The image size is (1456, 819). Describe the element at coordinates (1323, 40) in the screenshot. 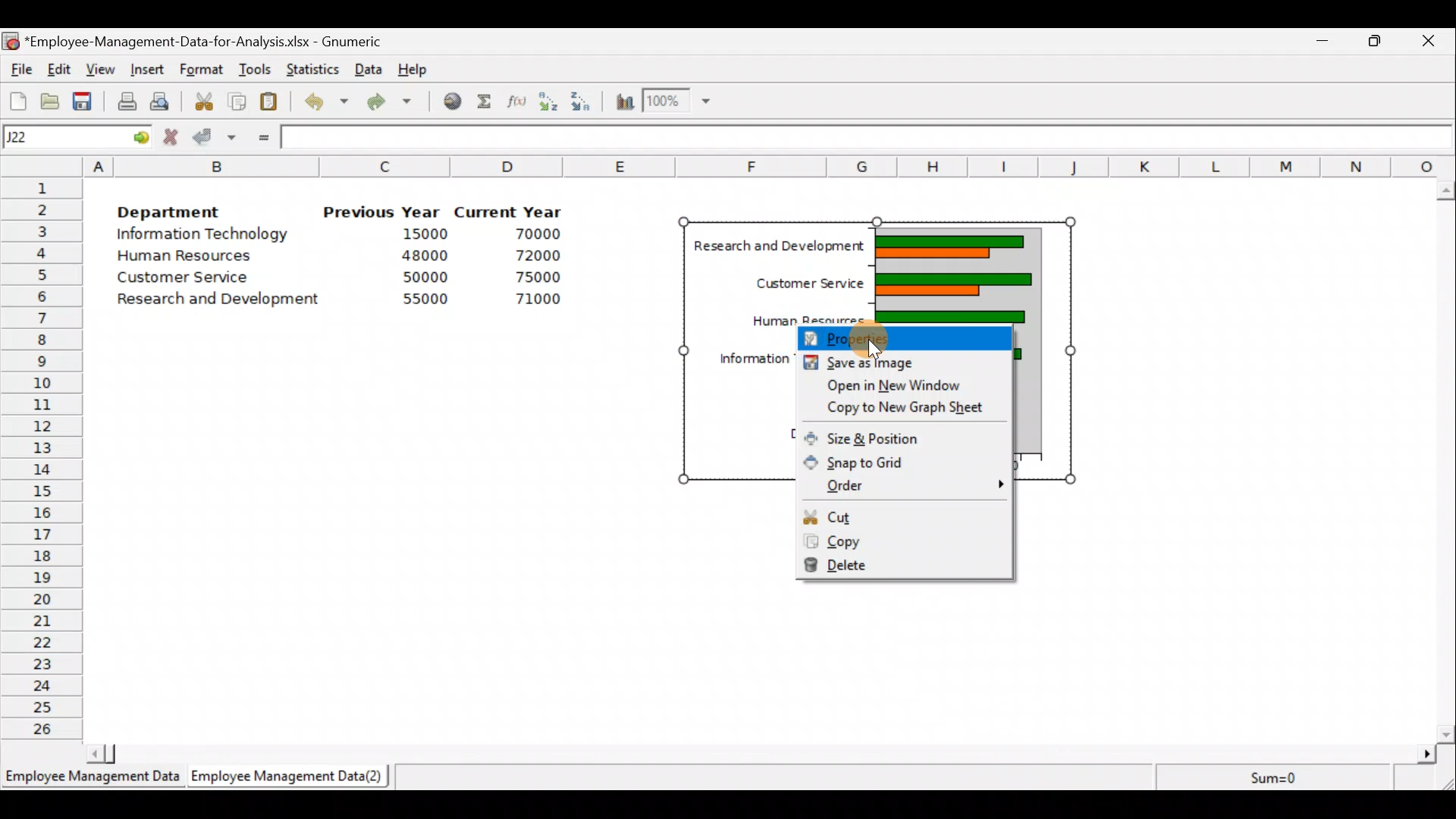

I see `Minimize` at that location.